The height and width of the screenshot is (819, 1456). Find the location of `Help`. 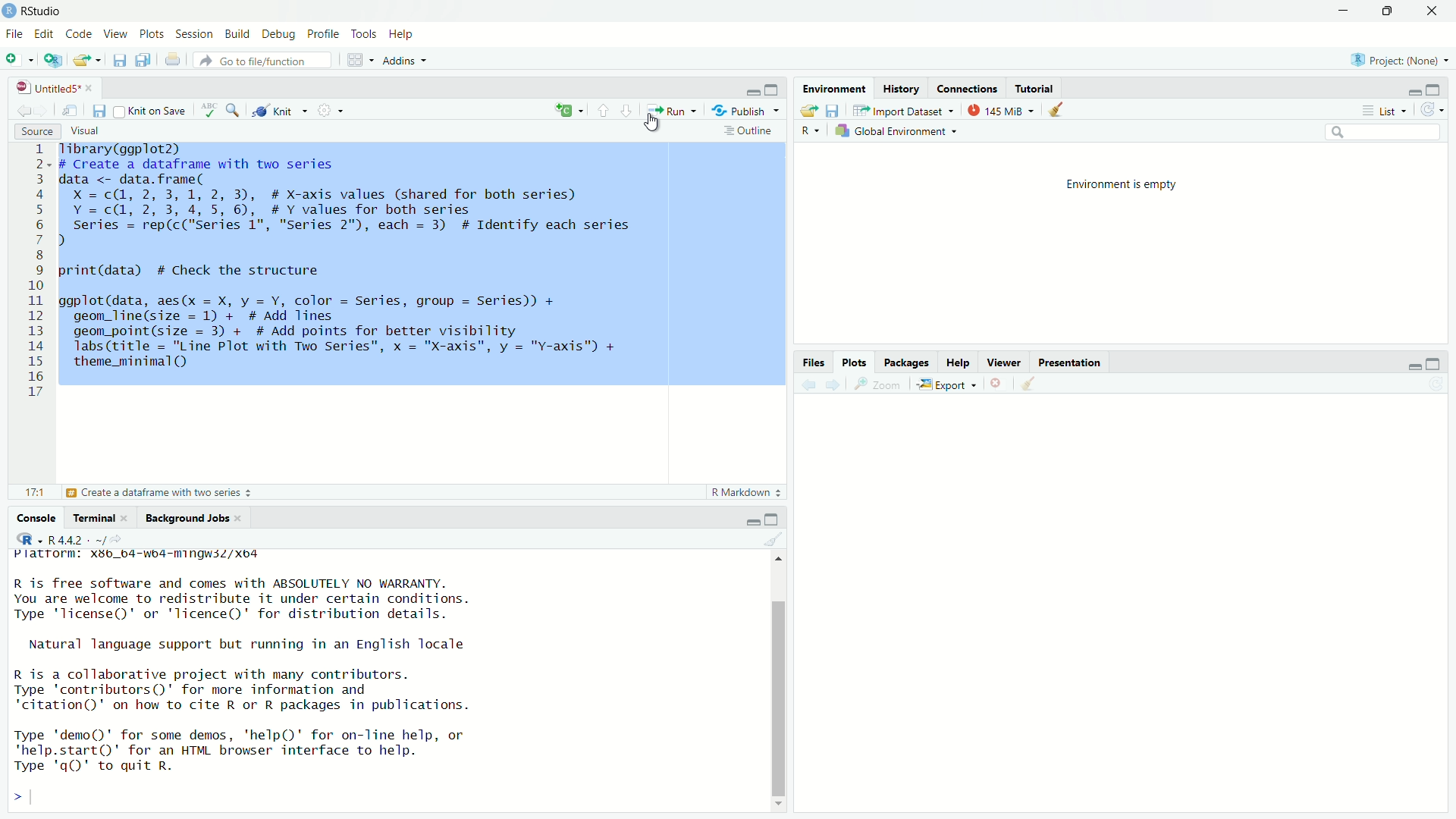

Help is located at coordinates (404, 35).